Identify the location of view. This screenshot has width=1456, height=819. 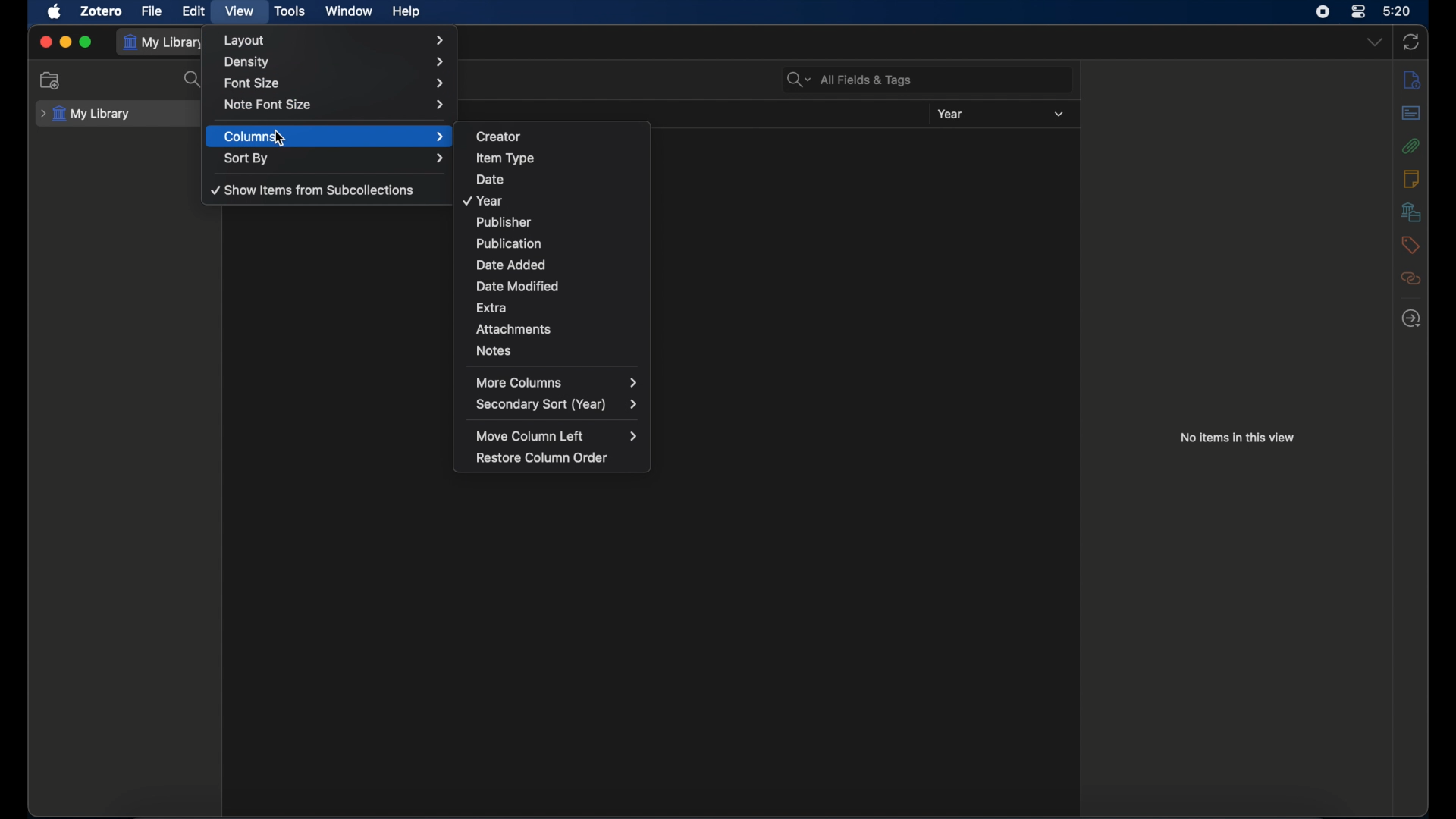
(240, 11).